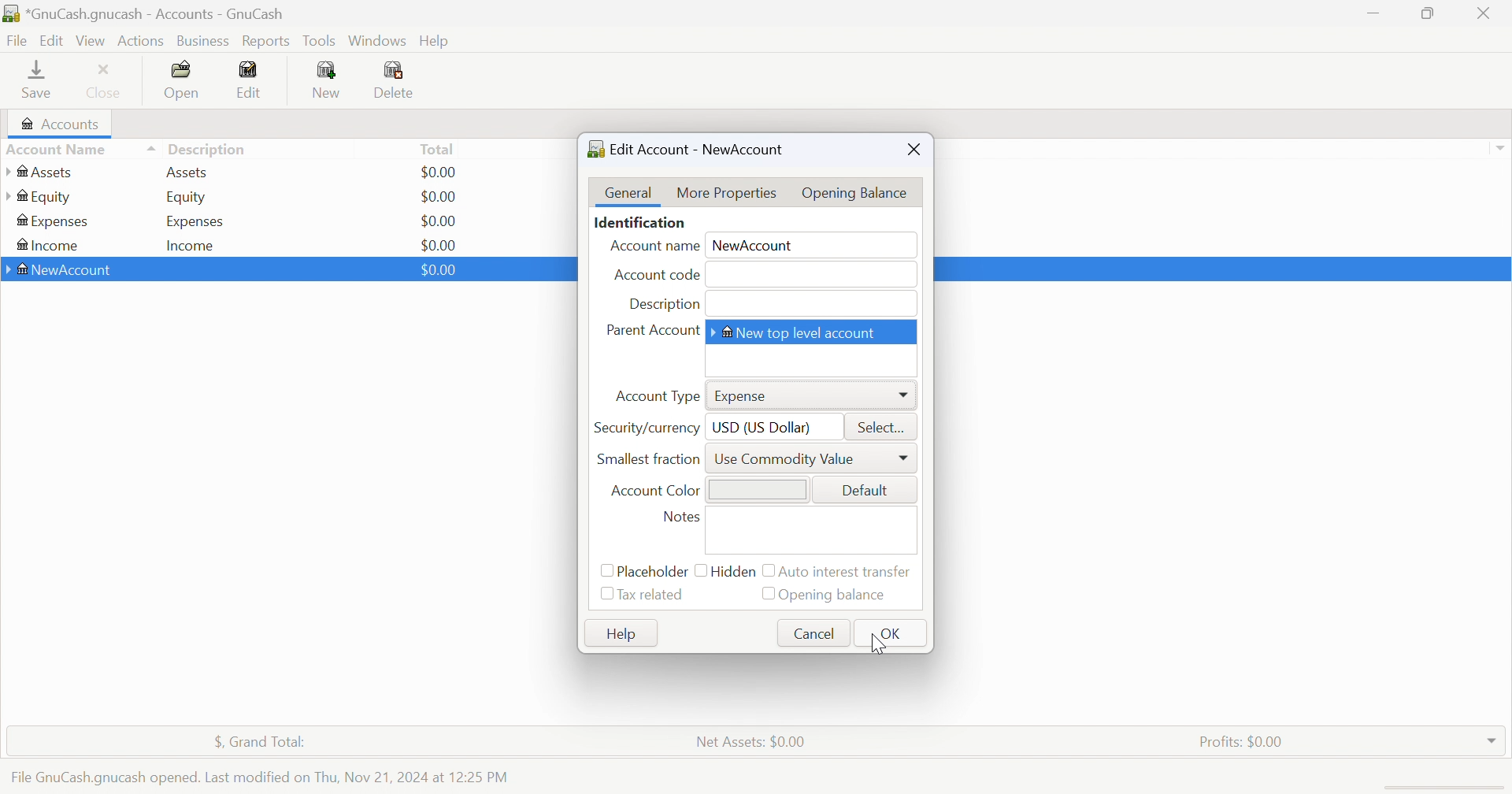 The height and width of the screenshot is (794, 1512). Describe the element at coordinates (438, 221) in the screenshot. I see `$0.00` at that location.